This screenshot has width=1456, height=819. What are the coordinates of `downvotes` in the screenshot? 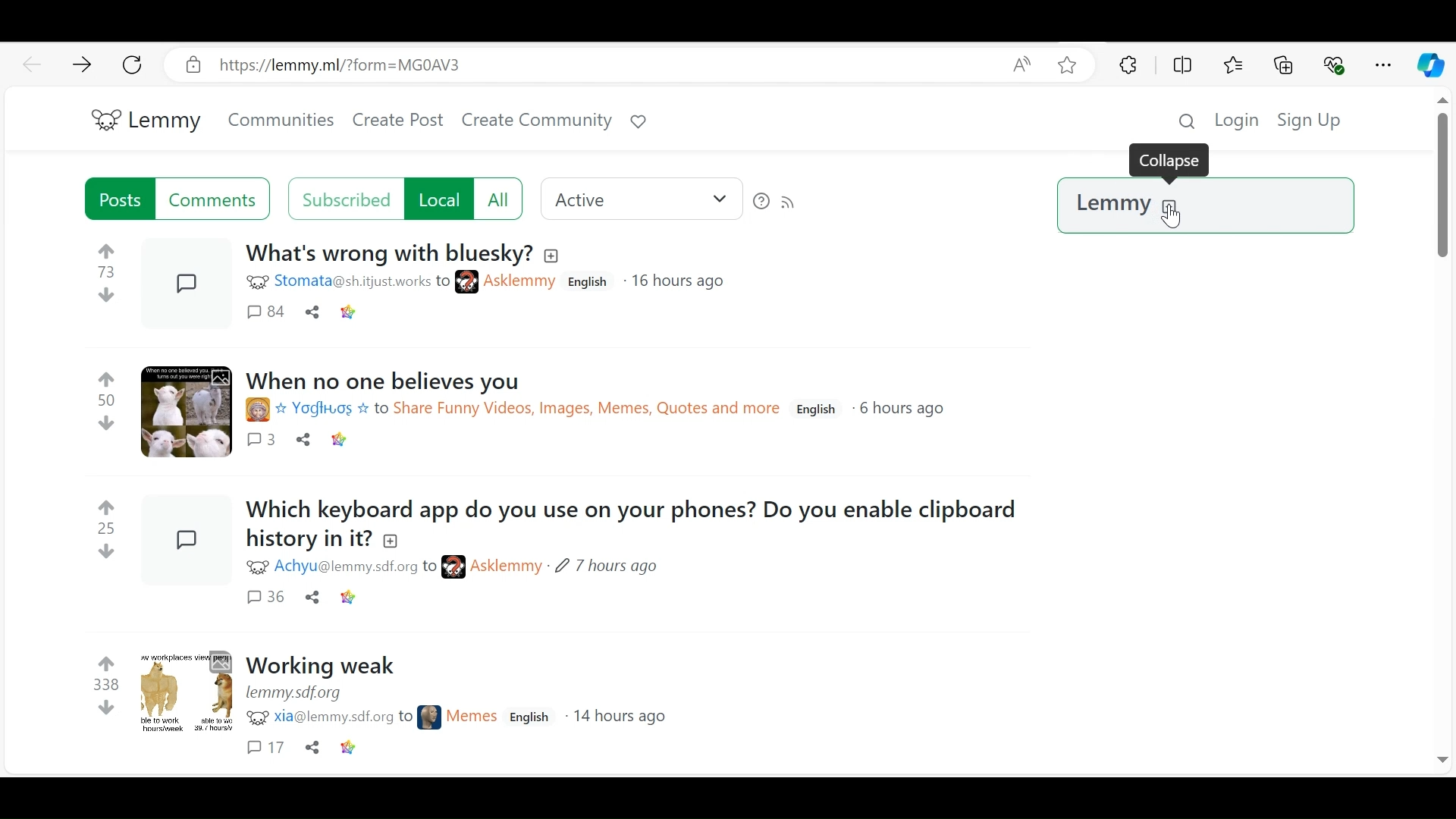 It's located at (104, 708).